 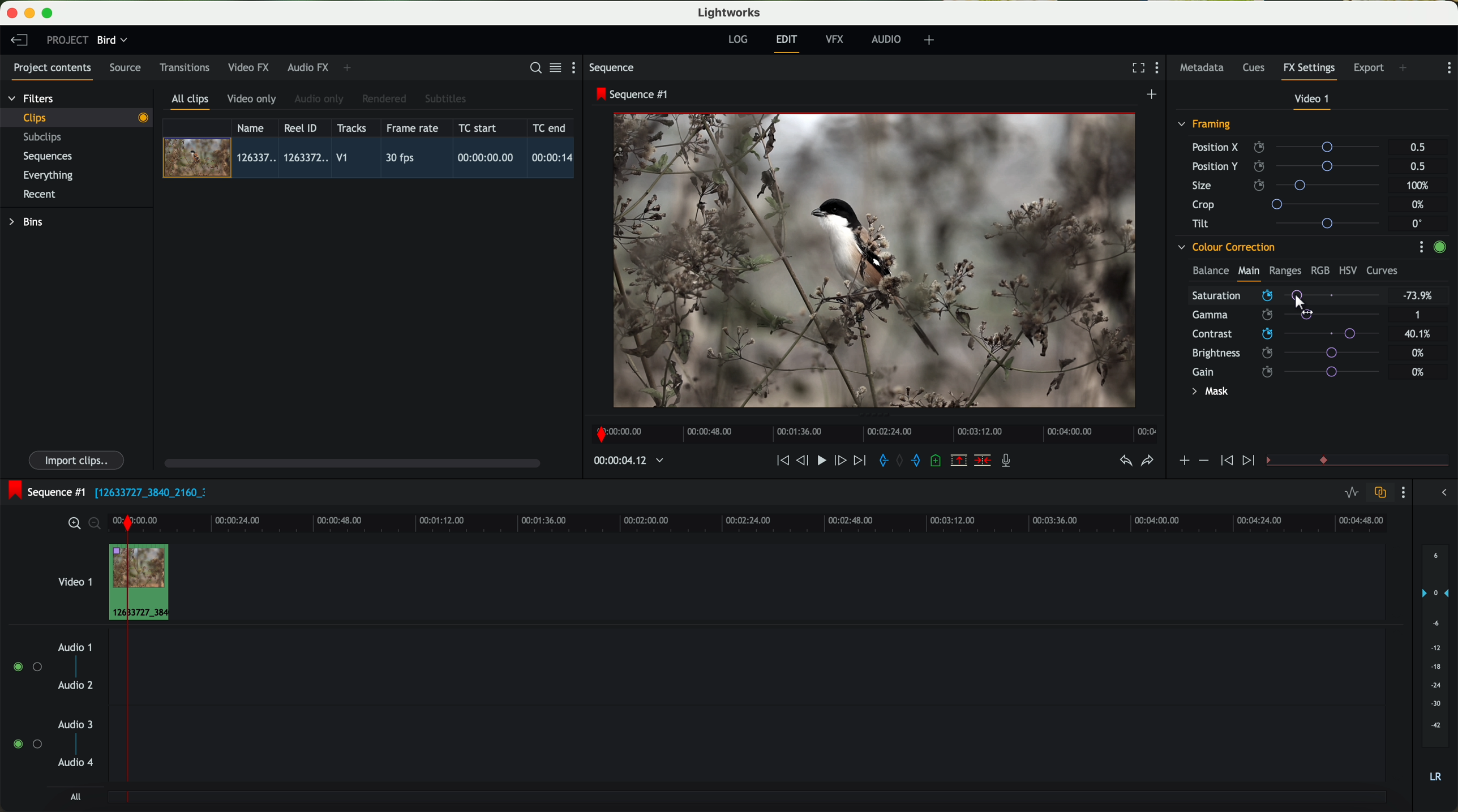 What do you see at coordinates (49, 14) in the screenshot?
I see `maximize program` at bounding box center [49, 14].